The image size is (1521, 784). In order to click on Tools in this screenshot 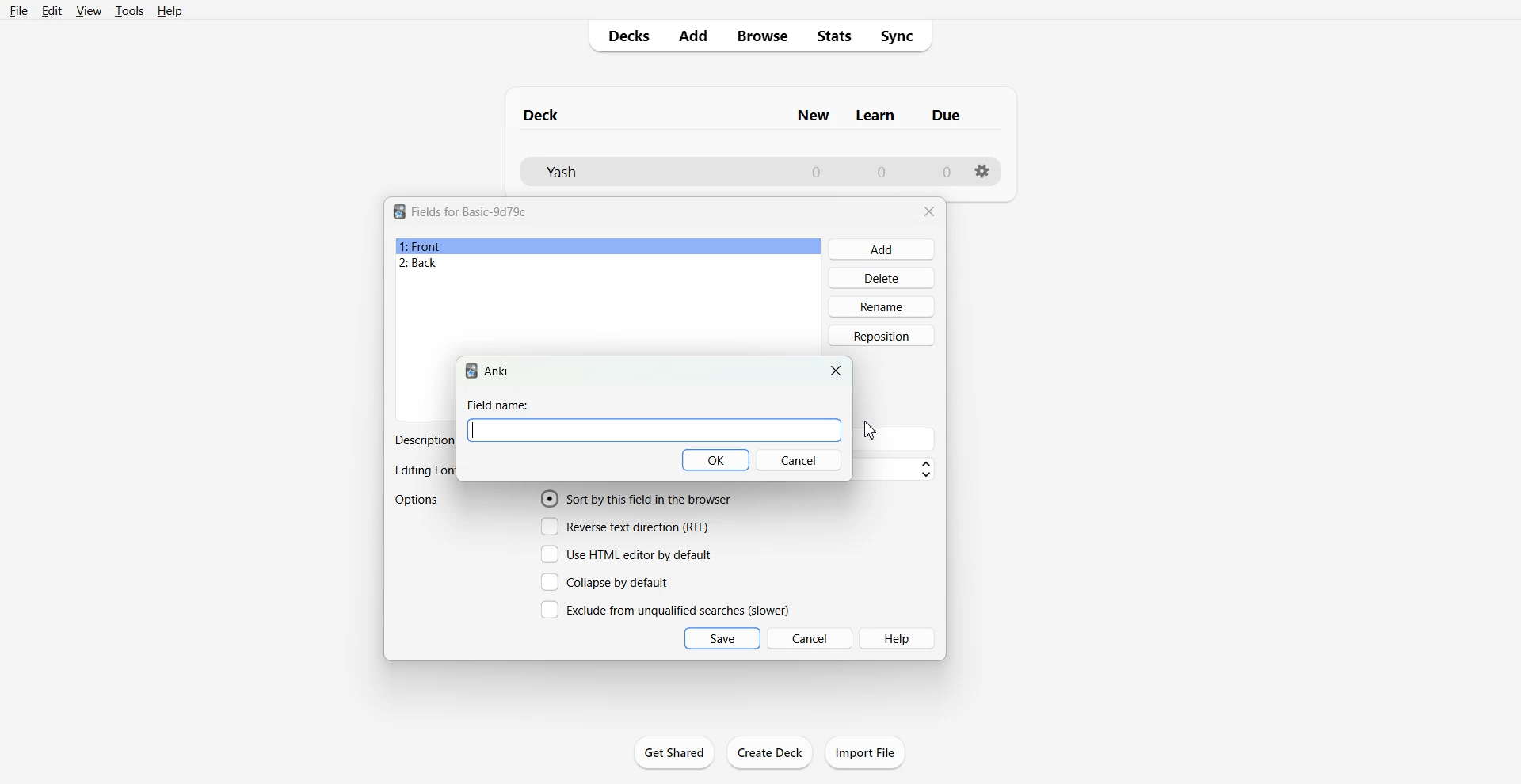, I will do `click(129, 10)`.